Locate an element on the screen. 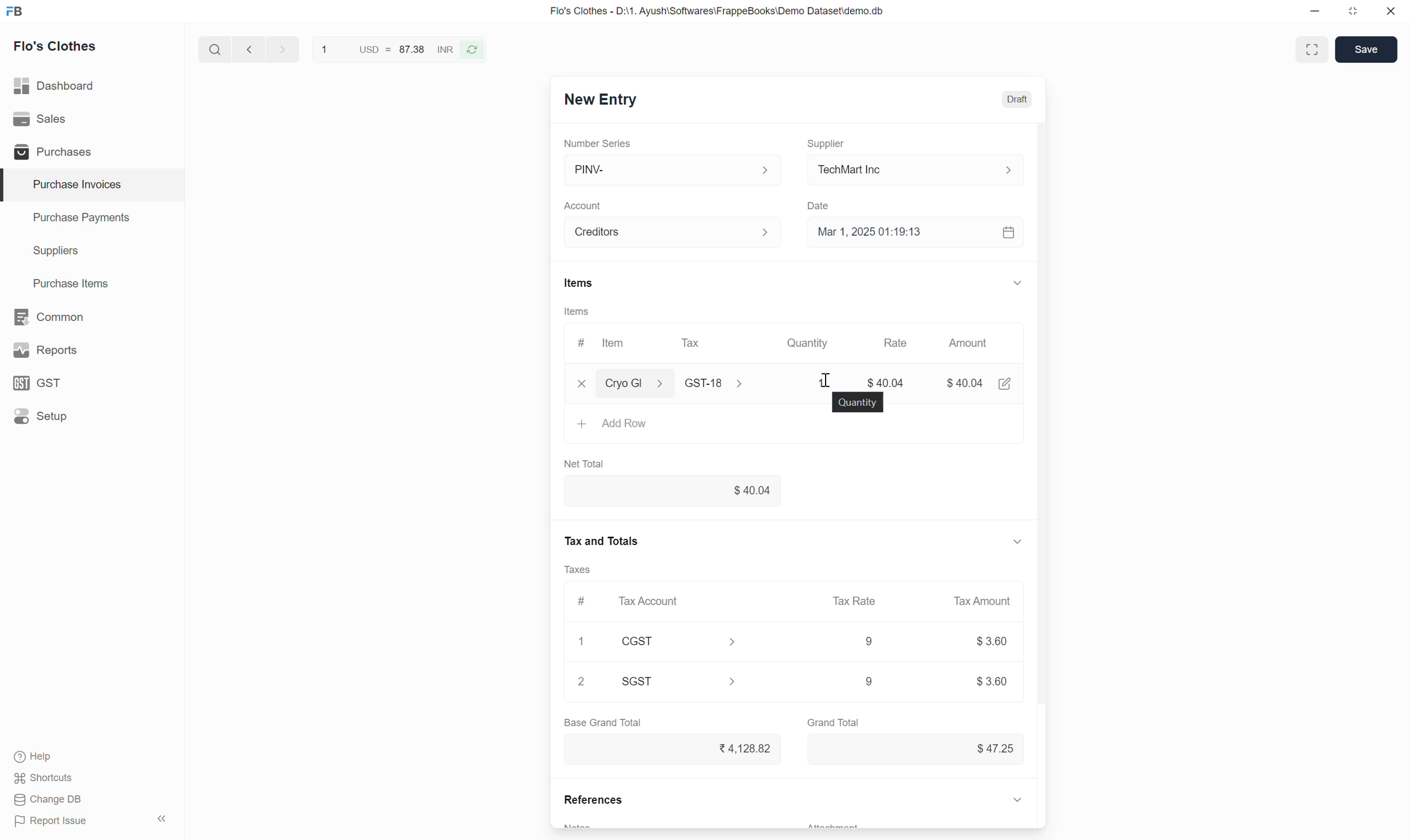 The width and height of the screenshot is (1410, 840). cursor is located at coordinates (832, 374).